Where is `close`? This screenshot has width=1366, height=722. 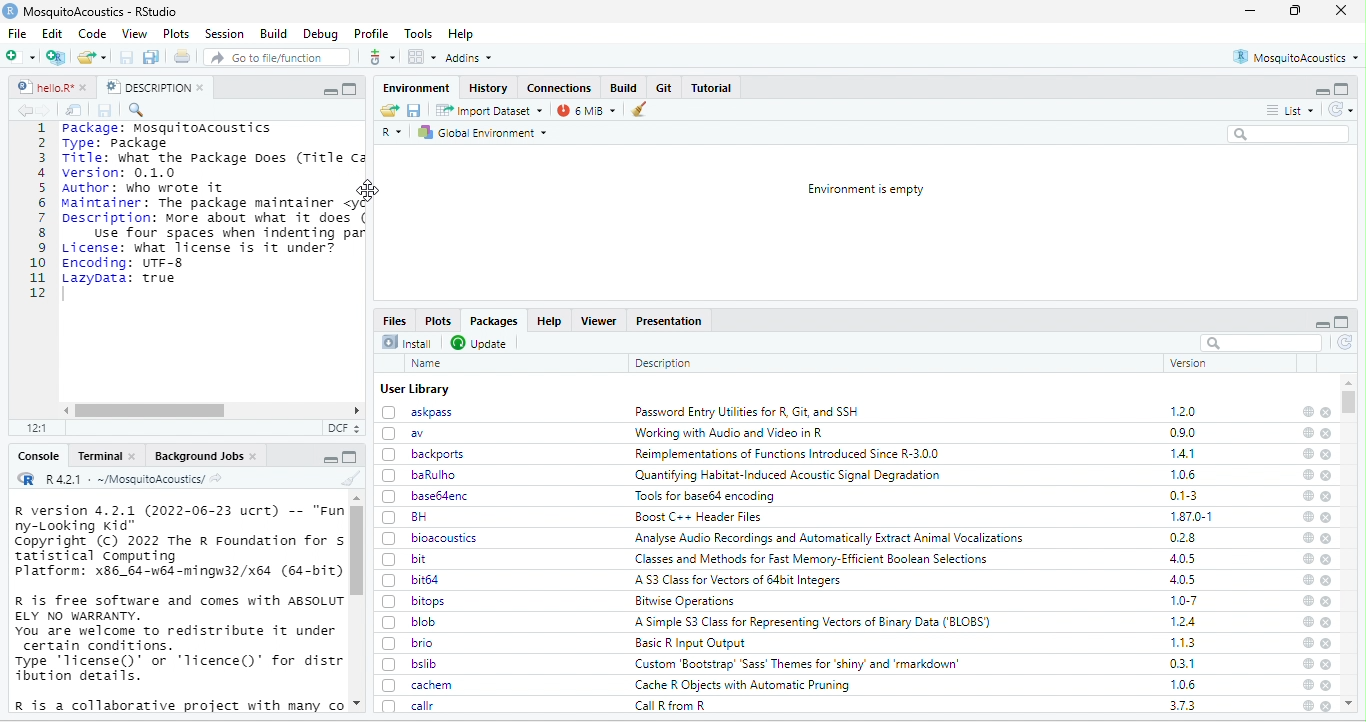 close is located at coordinates (1327, 644).